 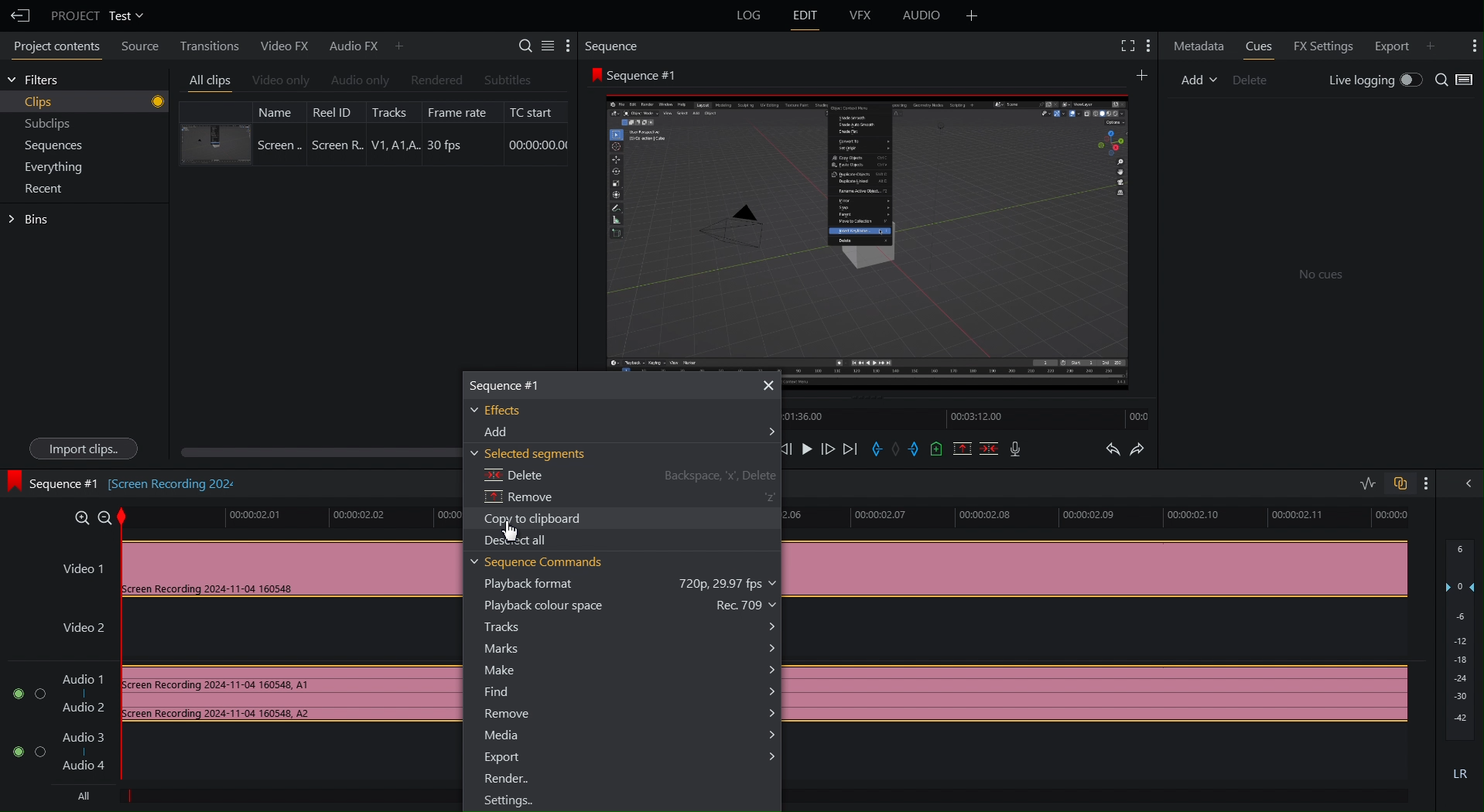 What do you see at coordinates (230, 695) in the screenshot?
I see `Audio Track 1` at bounding box center [230, 695].